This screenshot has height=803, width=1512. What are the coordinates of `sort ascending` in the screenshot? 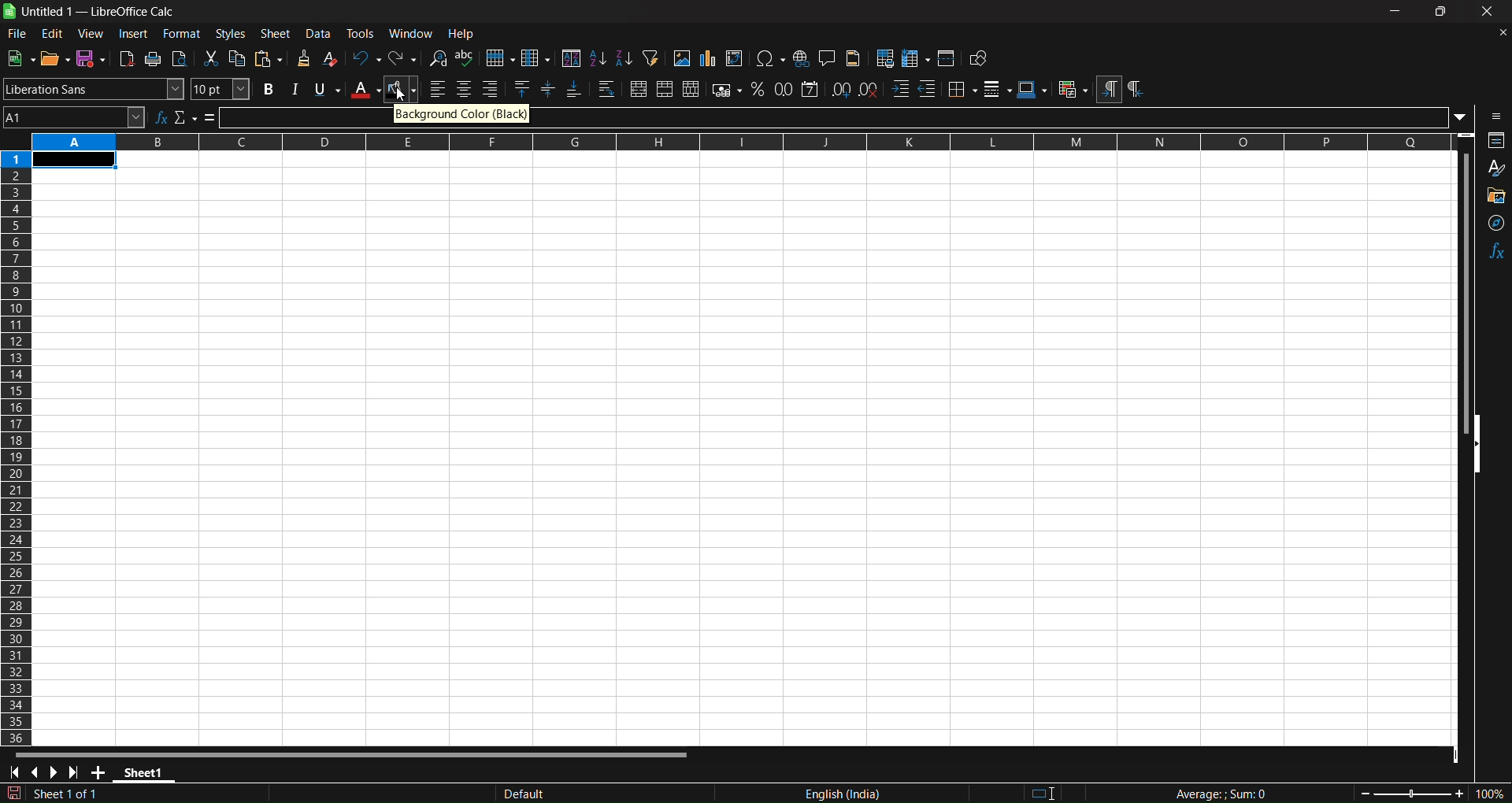 It's located at (598, 58).